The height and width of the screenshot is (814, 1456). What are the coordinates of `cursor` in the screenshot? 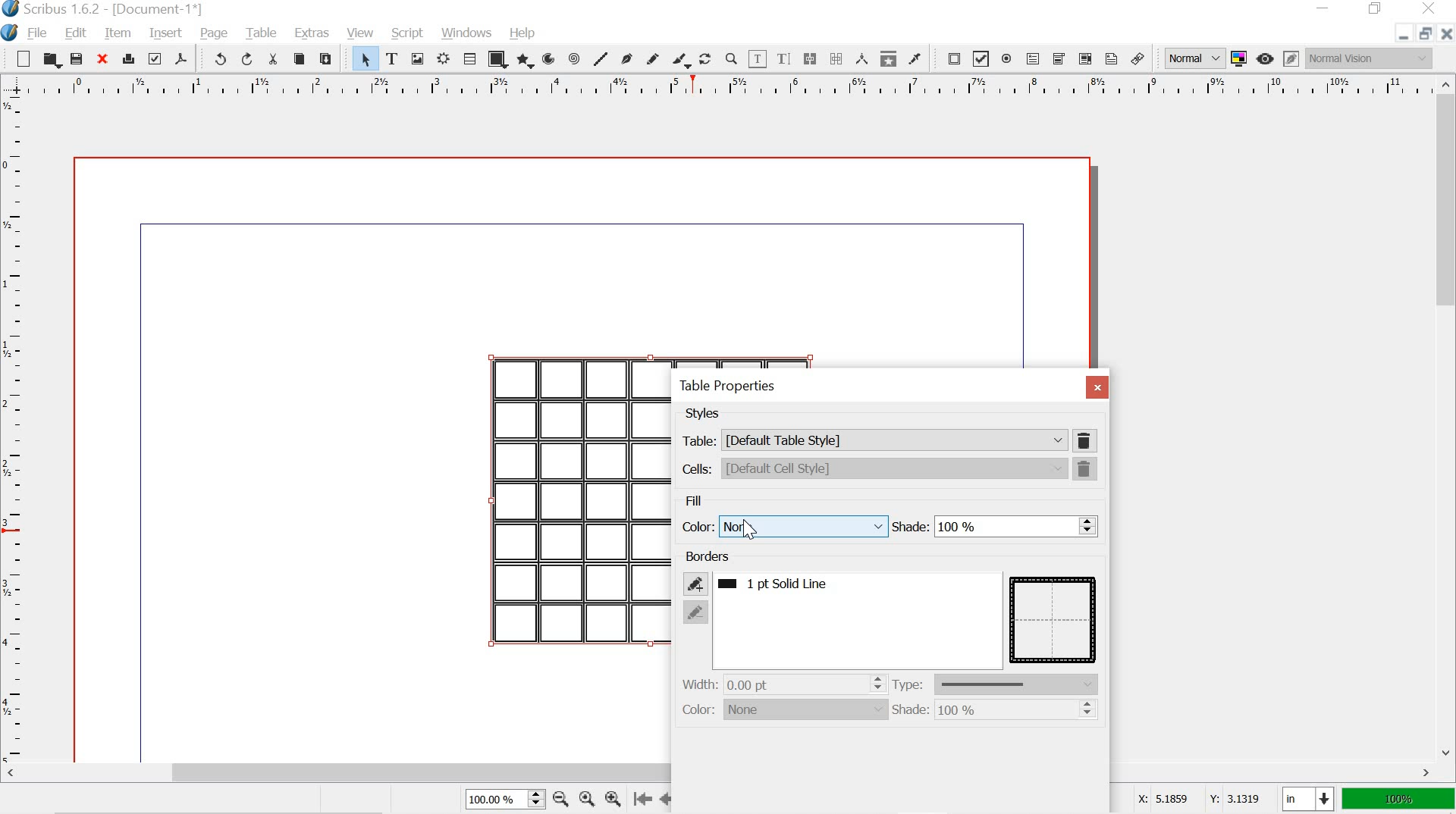 It's located at (752, 531).